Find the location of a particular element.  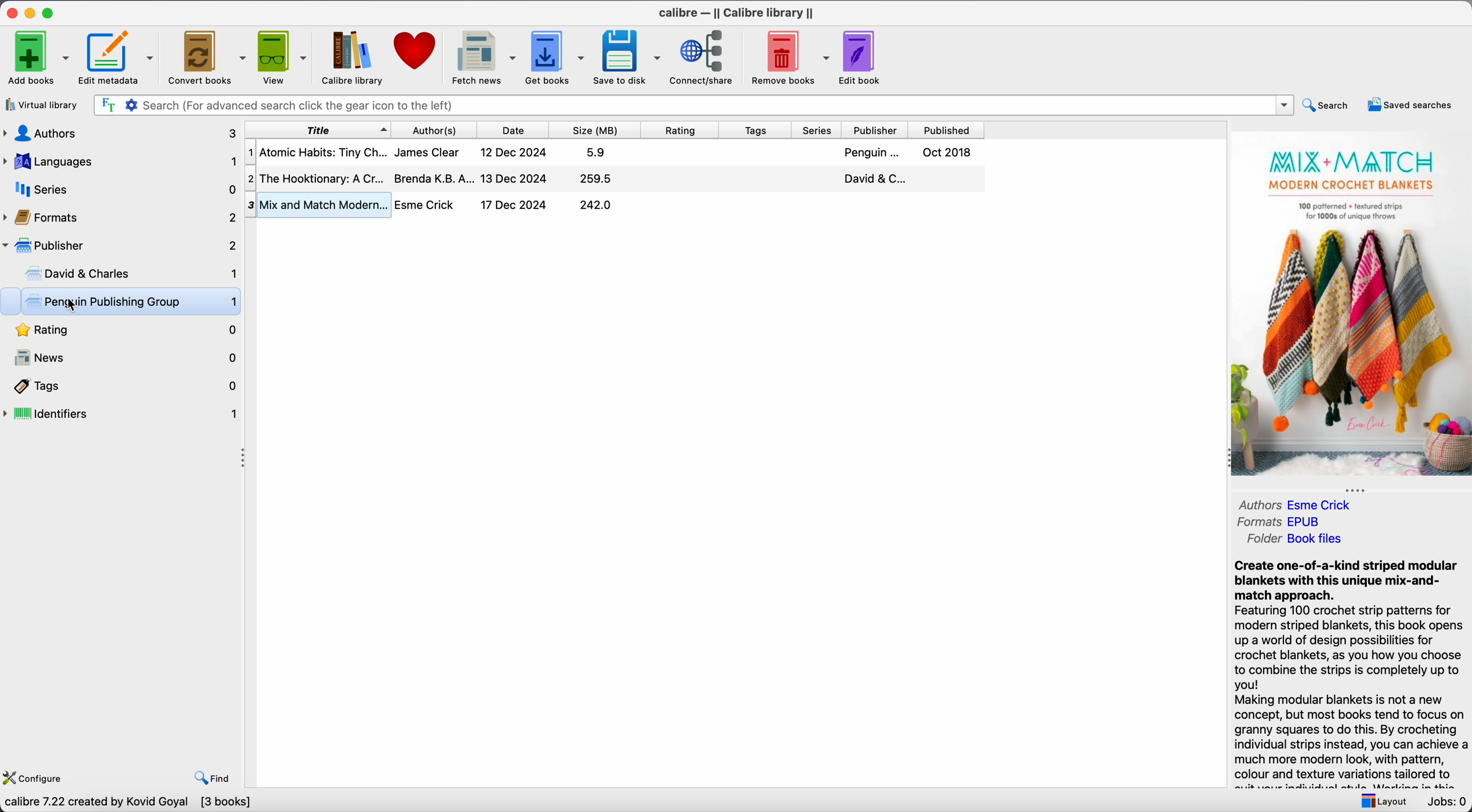

remove books is located at coordinates (791, 57).